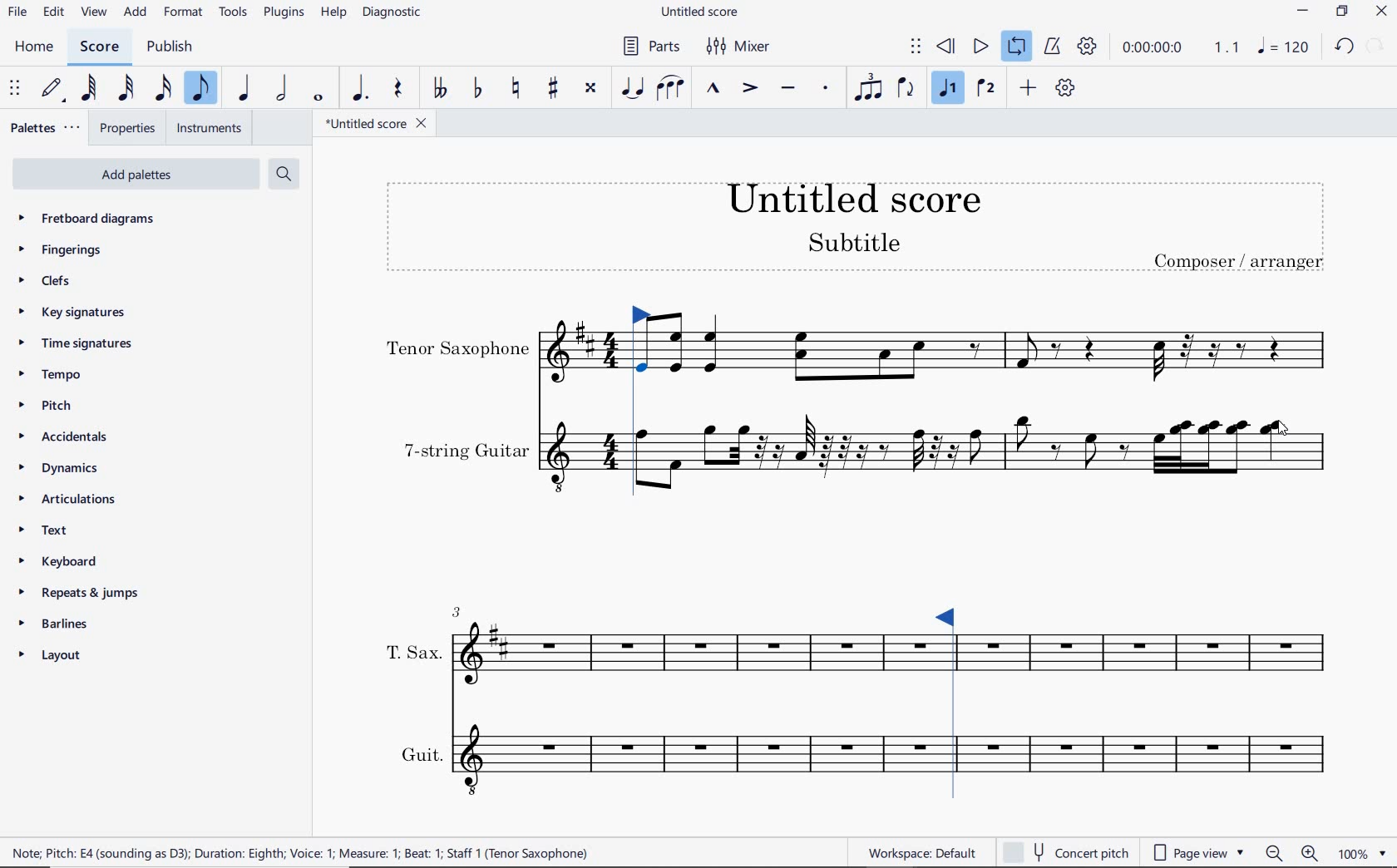  What do you see at coordinates (55, 627) in the screenshot?
I see `BARLINES` at bounding box center [55, 627].